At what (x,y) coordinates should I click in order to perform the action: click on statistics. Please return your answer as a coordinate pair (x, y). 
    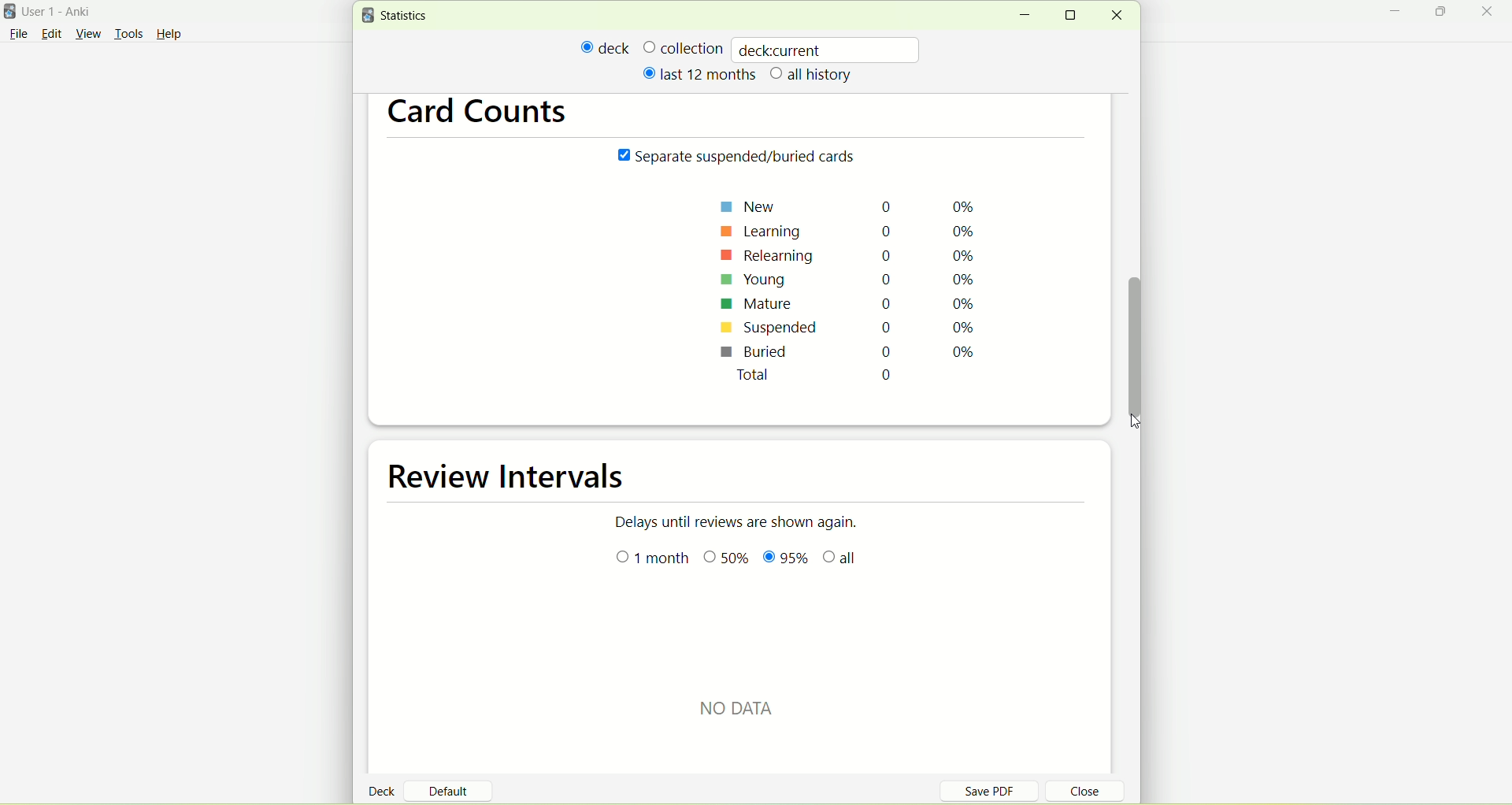
    Looking at the image, I should click on (398, 16).